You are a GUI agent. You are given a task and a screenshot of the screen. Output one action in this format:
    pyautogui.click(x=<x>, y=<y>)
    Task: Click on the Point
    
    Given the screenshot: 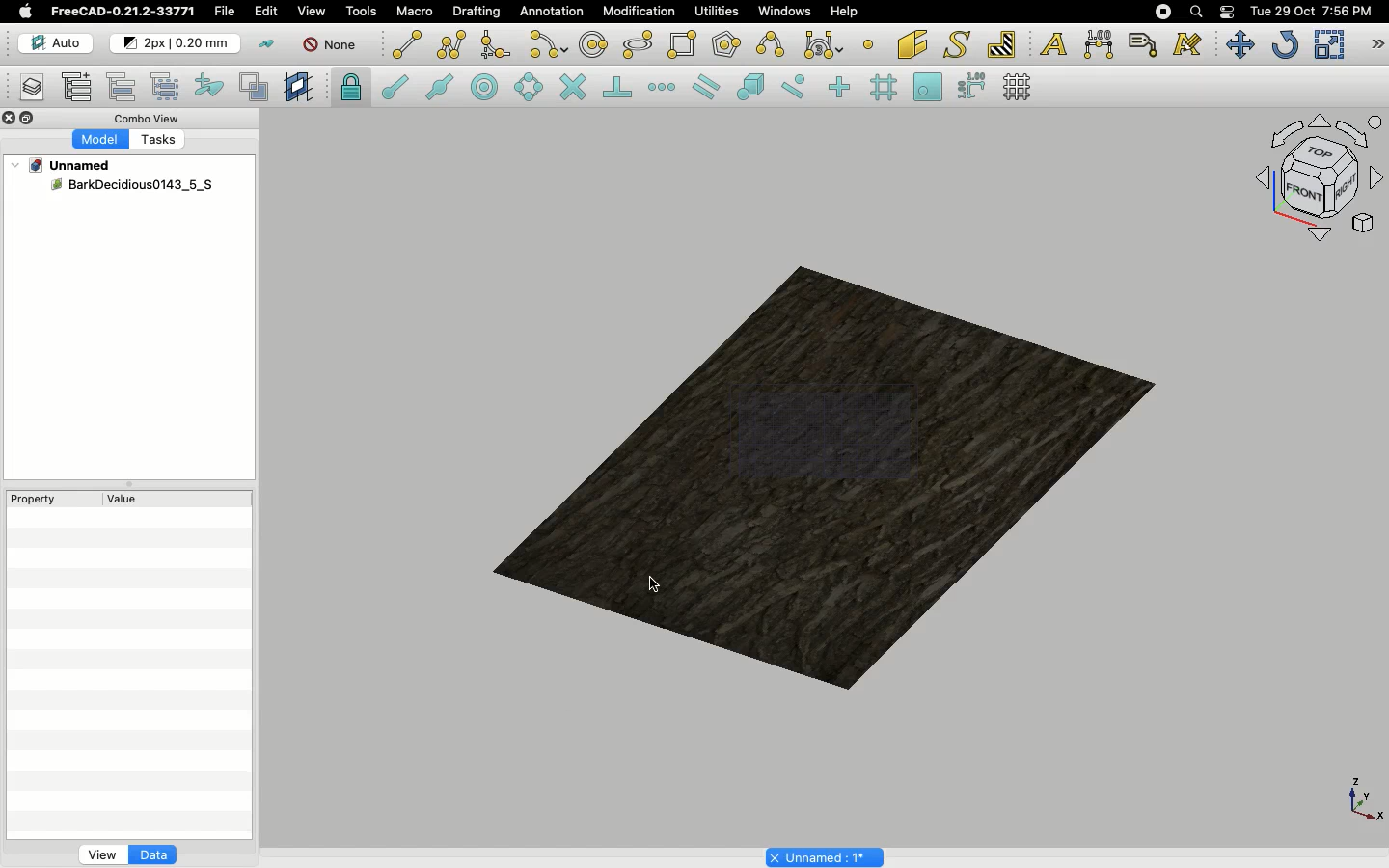 What is the action you would take?
    pyautogui.click(x=868, y=42)
    